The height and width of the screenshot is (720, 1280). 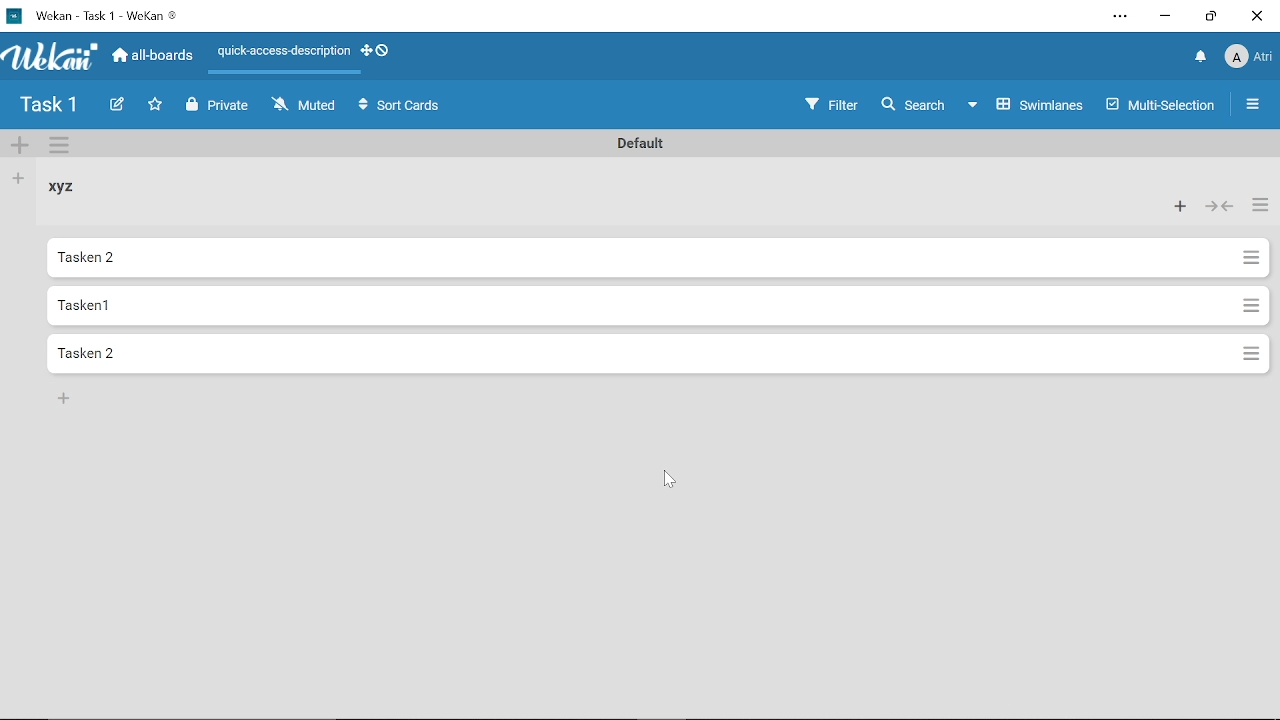 I want to click on Click to star this board, so click(x=157, y=106).